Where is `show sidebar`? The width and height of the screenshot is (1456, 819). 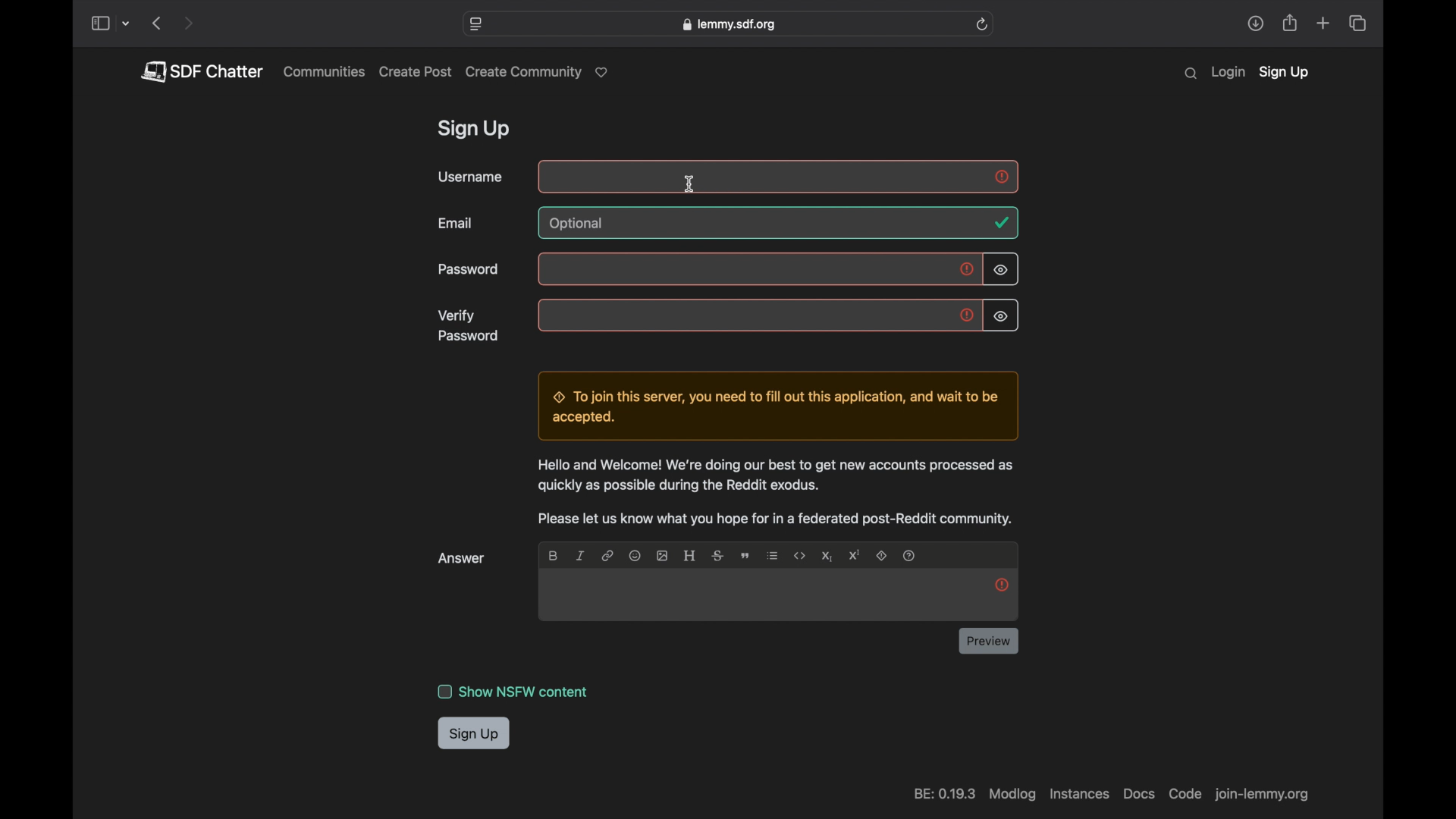 show sidebar is located at coordinates (99, 24).